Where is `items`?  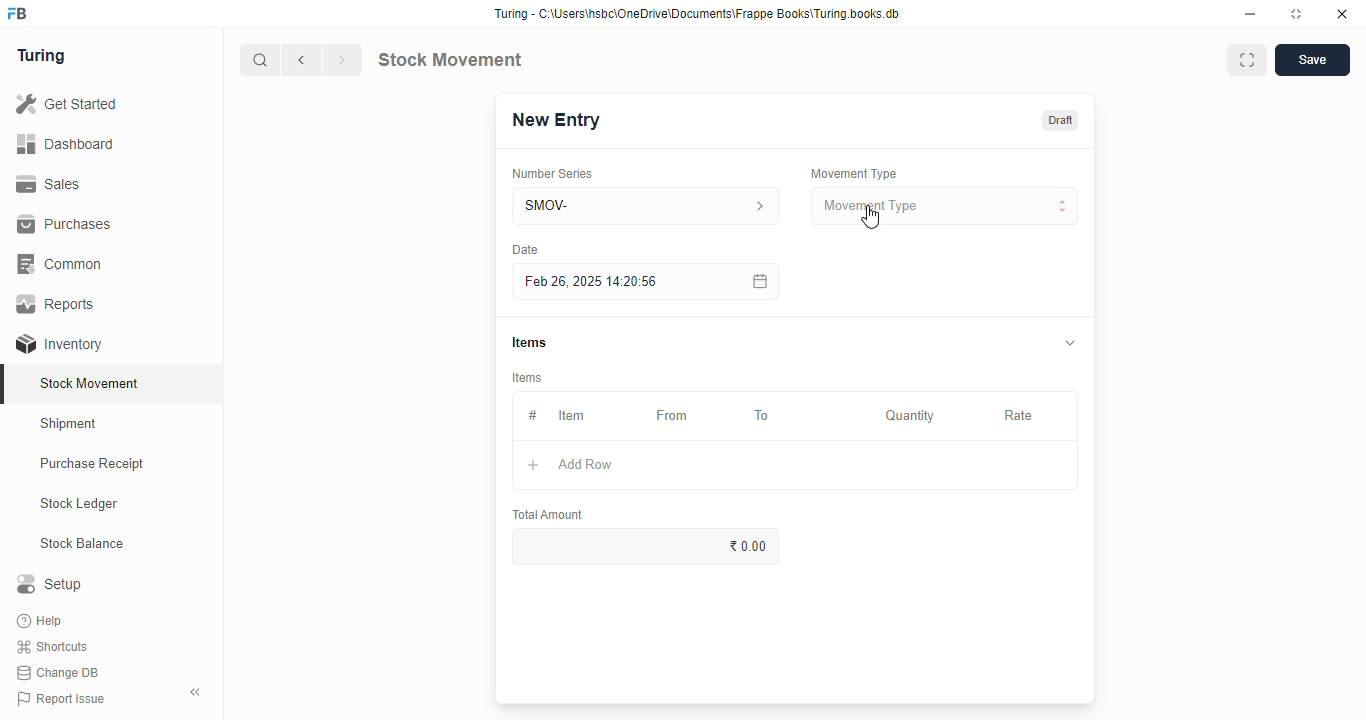 items is located at coordinates (528, 378).